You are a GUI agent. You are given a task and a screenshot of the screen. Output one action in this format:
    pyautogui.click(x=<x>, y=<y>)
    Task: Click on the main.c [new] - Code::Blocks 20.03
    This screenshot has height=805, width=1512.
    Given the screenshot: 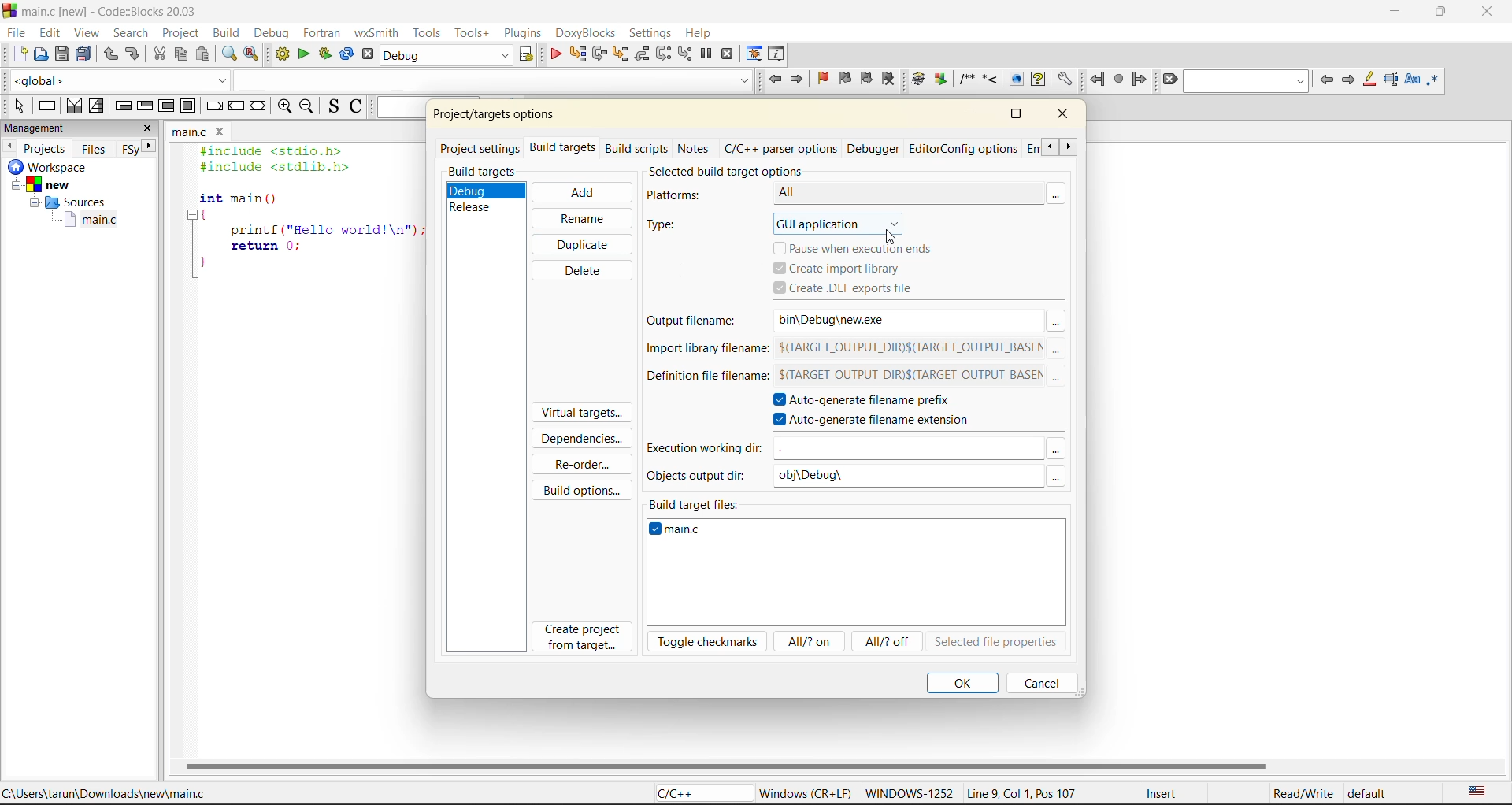 What is the action you would take?
    pyautogui.click(x=126, y=12)
    